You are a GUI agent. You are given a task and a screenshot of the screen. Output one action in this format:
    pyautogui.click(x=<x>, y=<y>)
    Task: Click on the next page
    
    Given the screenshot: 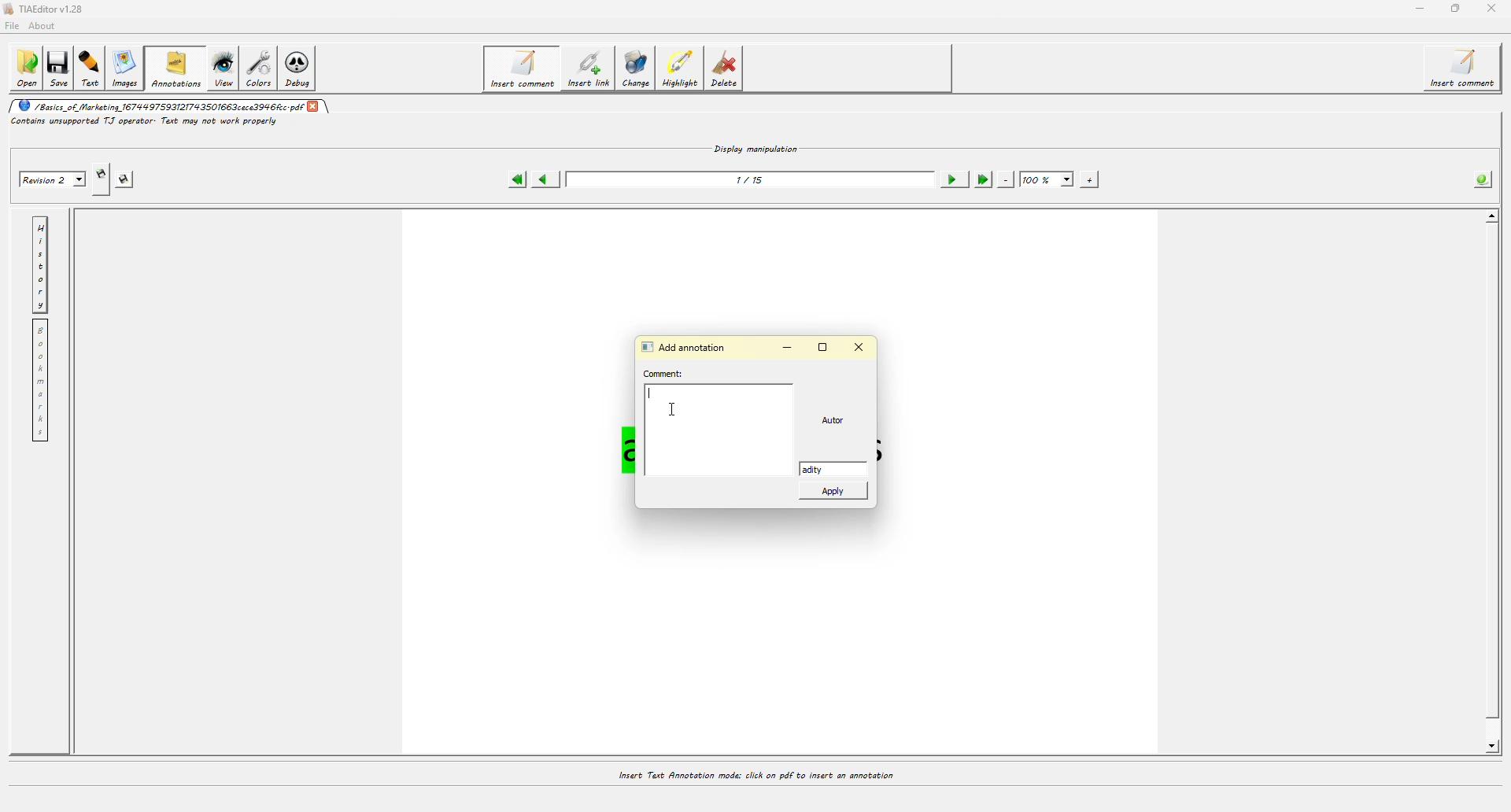 What is the action you would take?
    pyautogui.click(x=952, y=179)
    